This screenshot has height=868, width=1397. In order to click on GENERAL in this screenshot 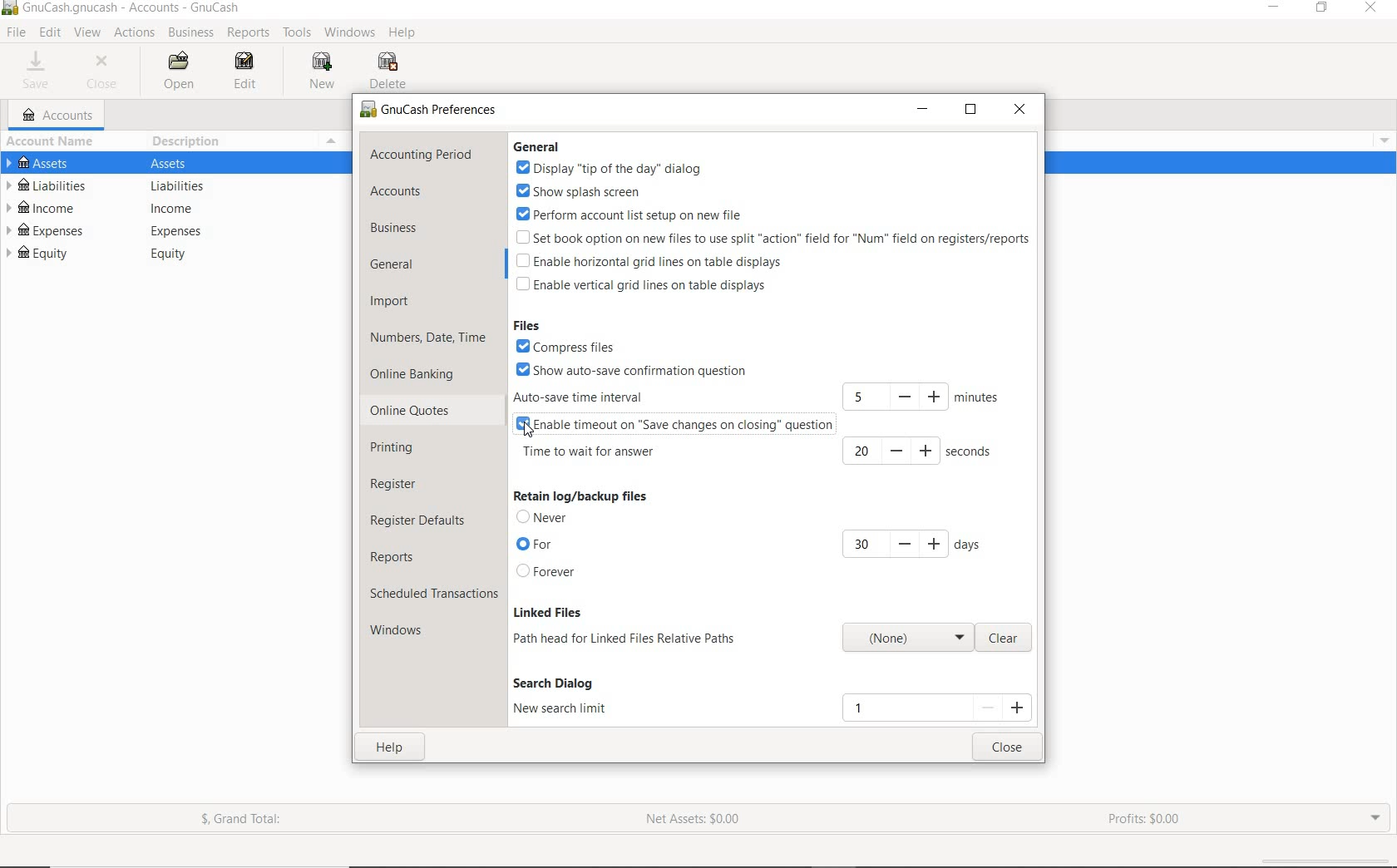, I will do `click(407, 265)`.